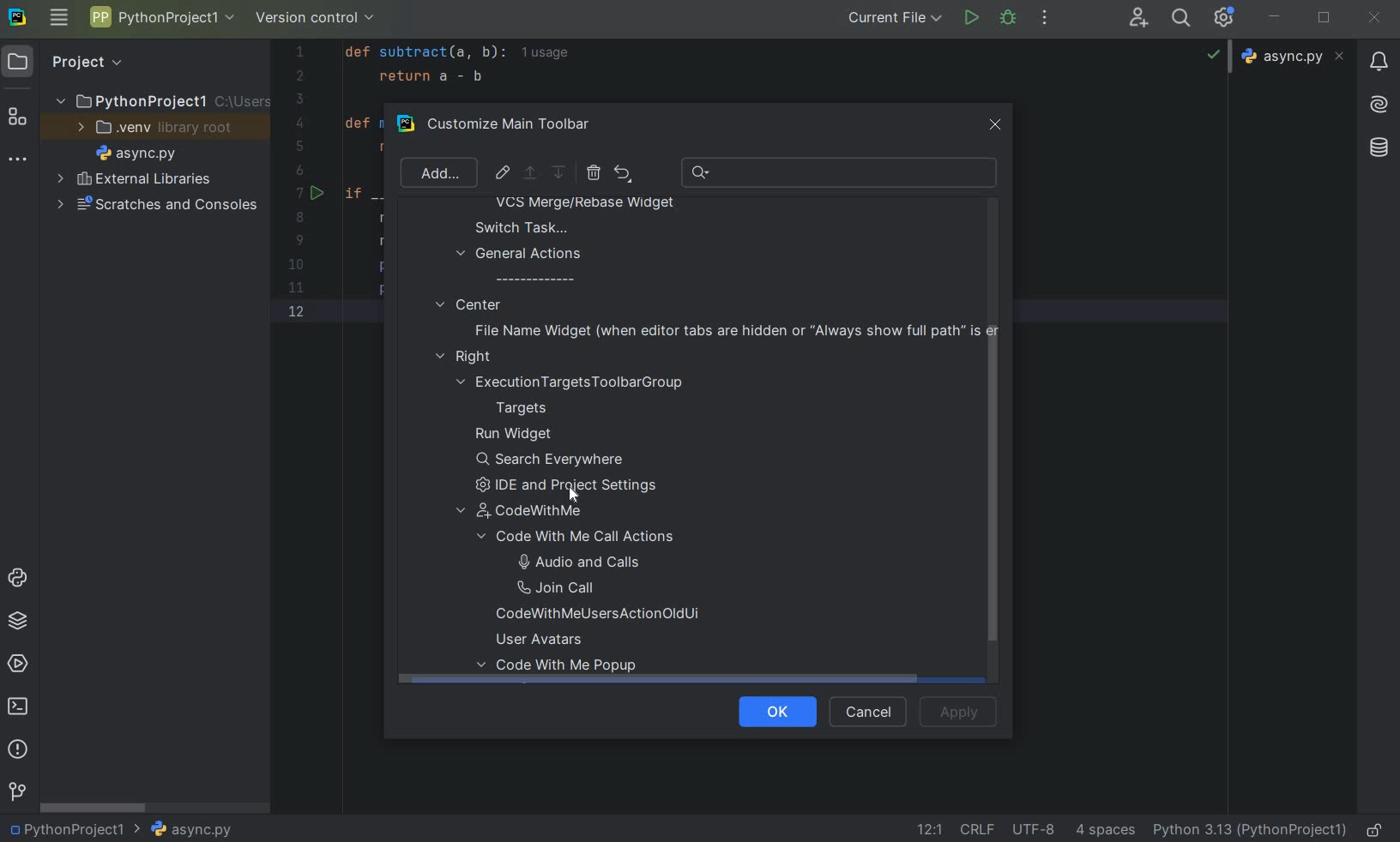  I want to click on CUSTOMIZE MAIN TOOLBAR, so click(520, 125).